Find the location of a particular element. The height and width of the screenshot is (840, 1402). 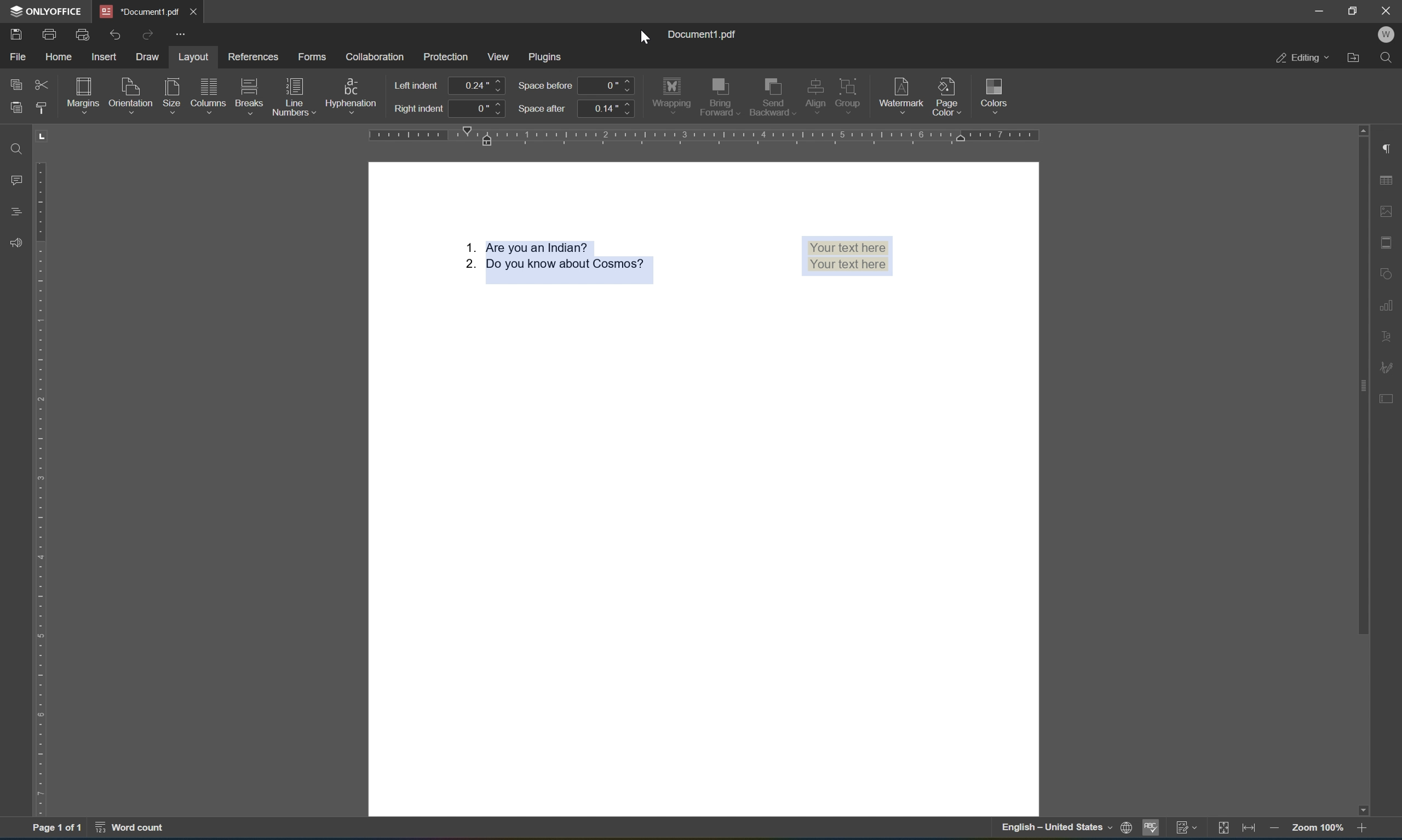

align is located at coordinates (812, 93).